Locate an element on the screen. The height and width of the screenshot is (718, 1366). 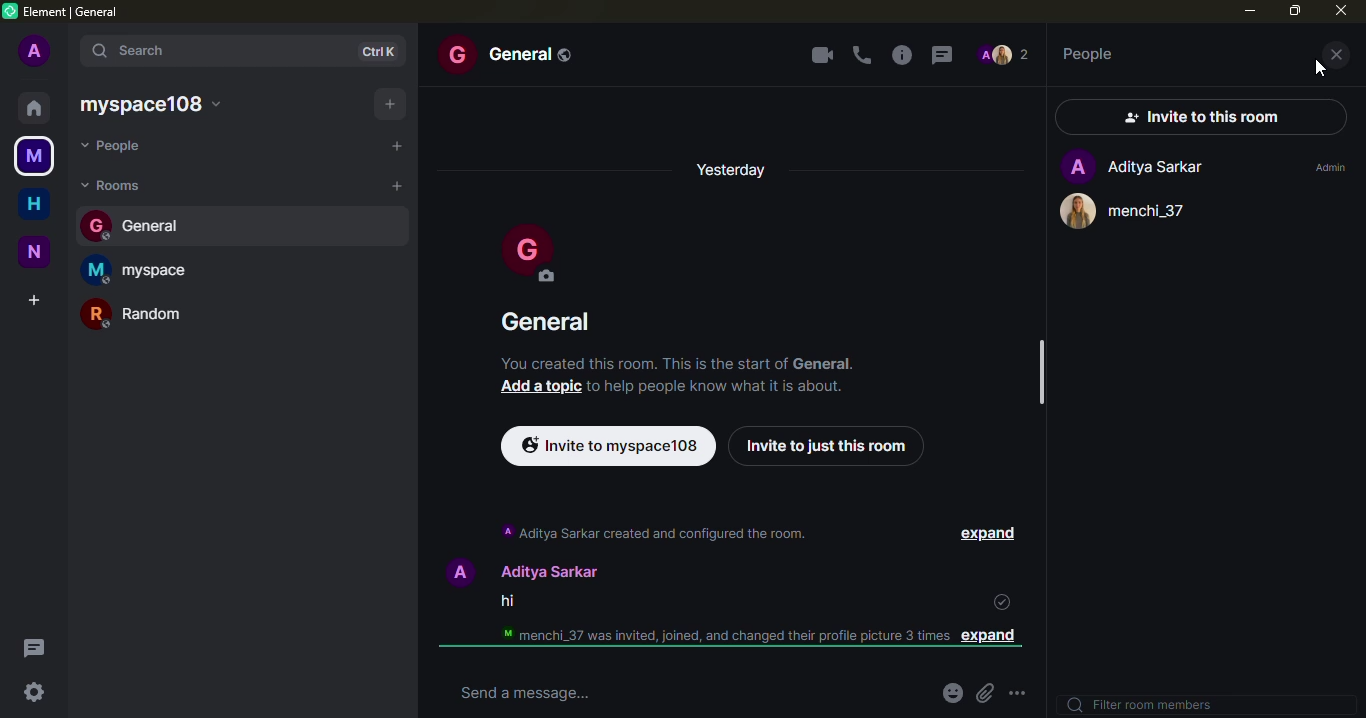
minimize is located at coordinates (1247, 10).